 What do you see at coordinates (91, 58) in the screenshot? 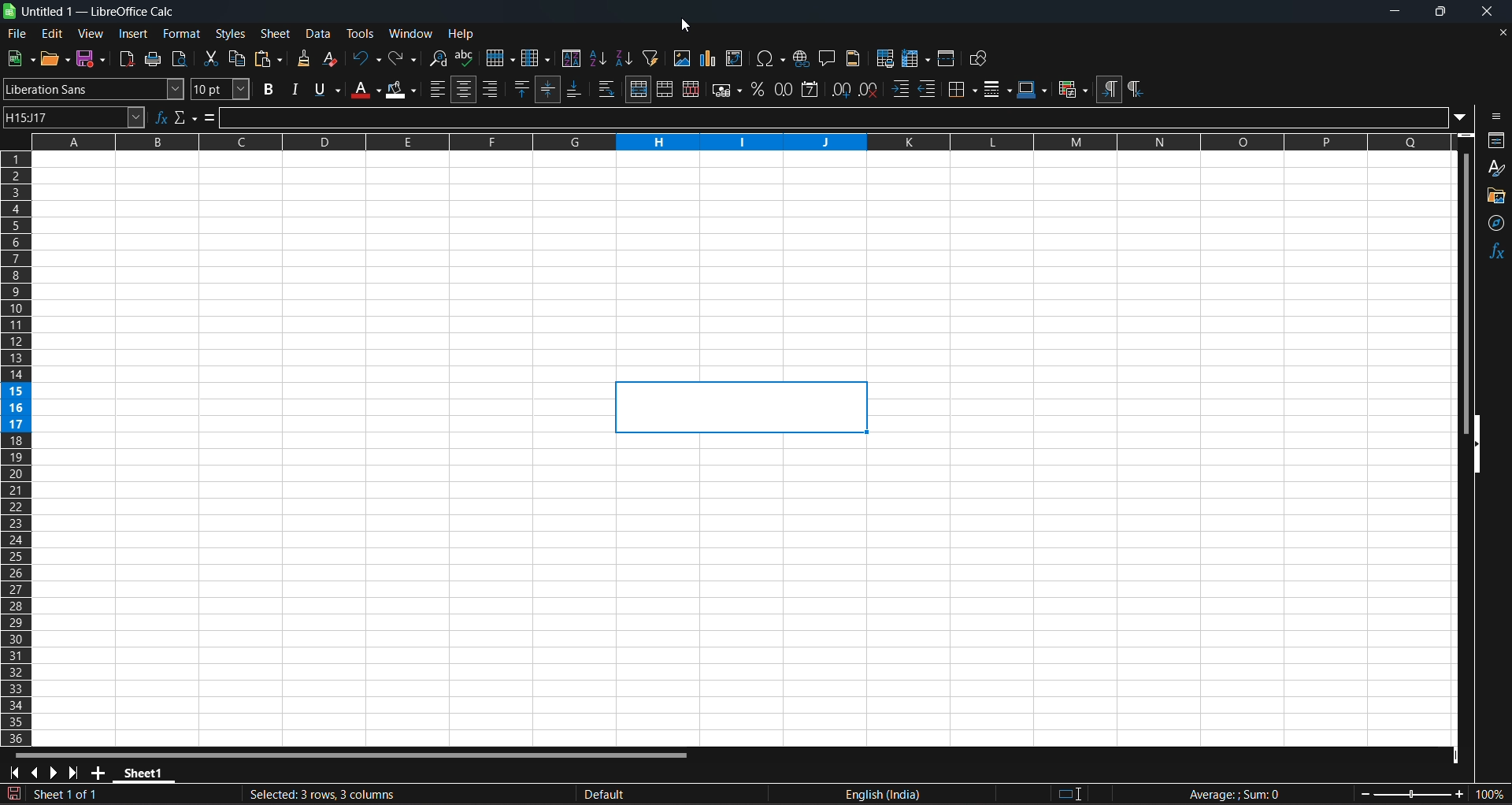
I see `save` at bounding box center [91, 58].